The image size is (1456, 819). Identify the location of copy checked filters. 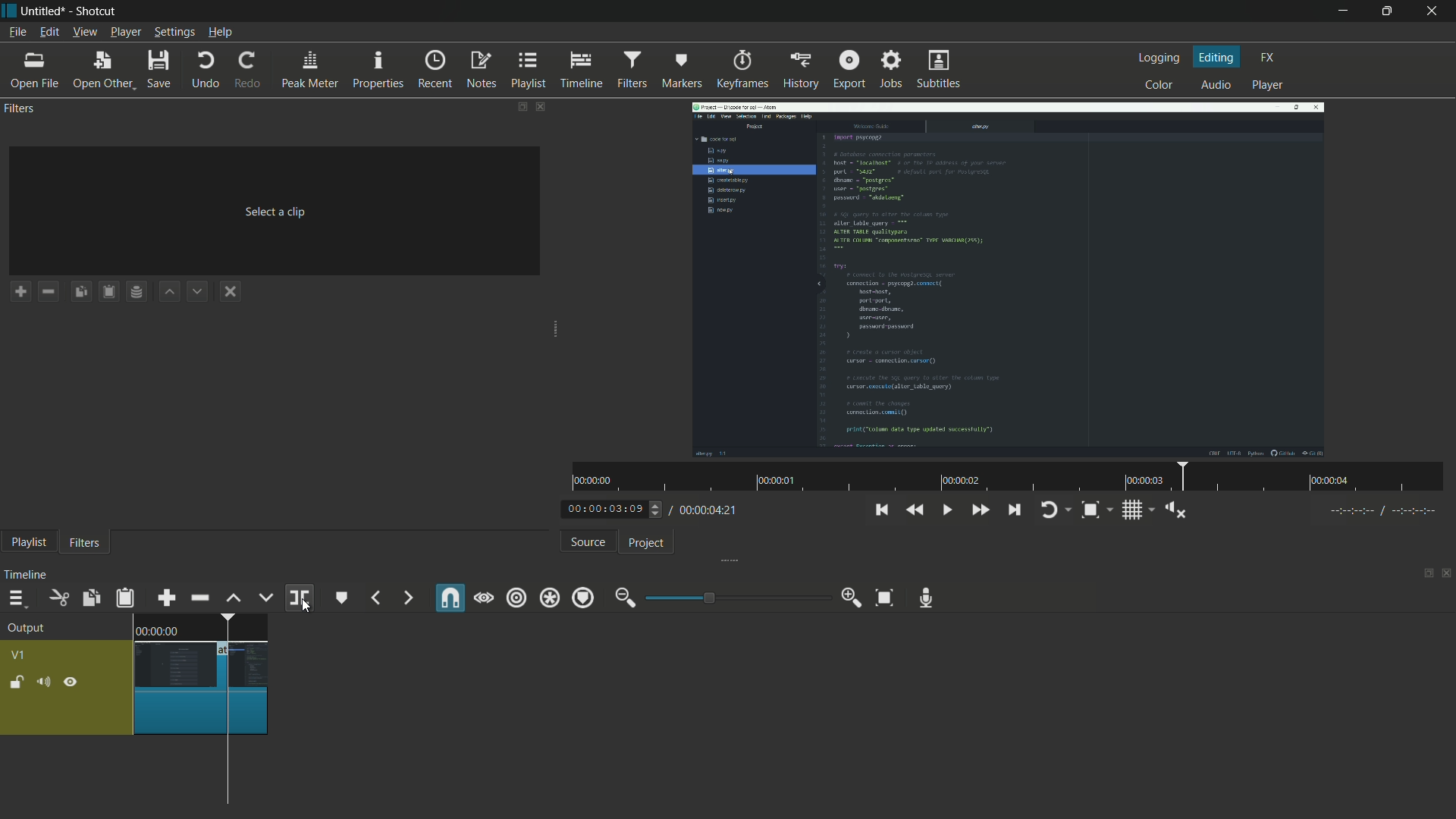
(80, 291).